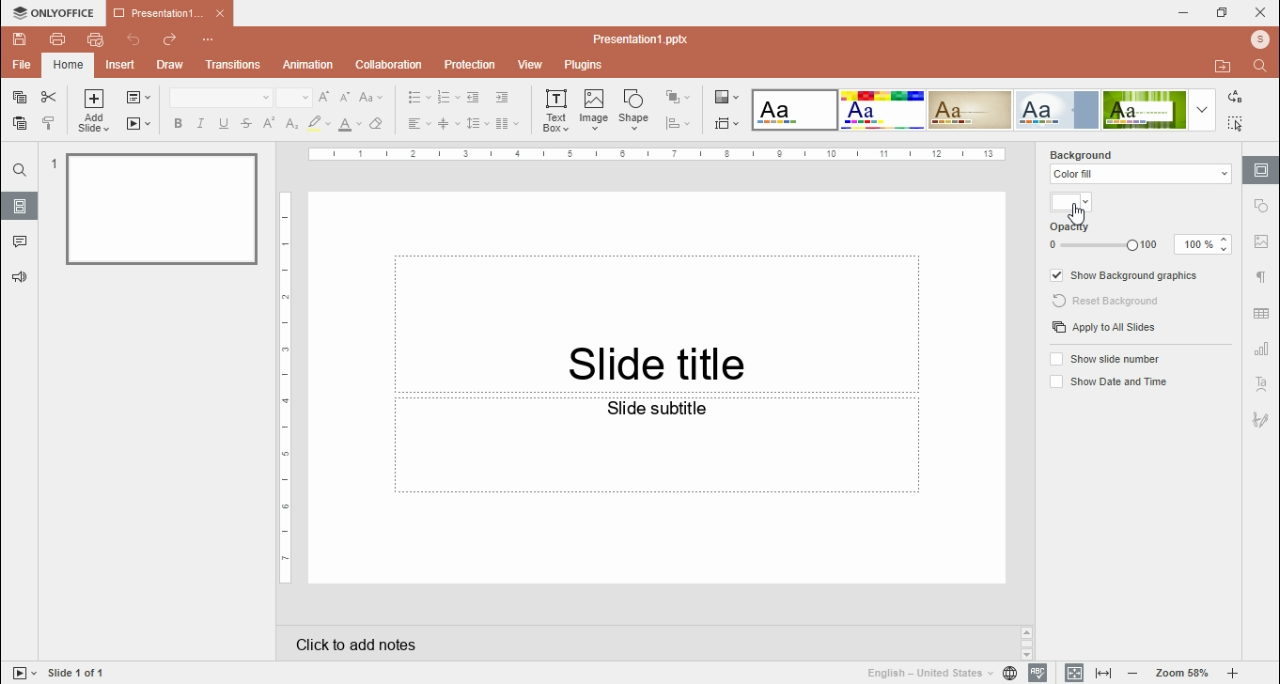 The width and height of the screenshot is (1280, 684). I want to click on find, so click(20, 170).